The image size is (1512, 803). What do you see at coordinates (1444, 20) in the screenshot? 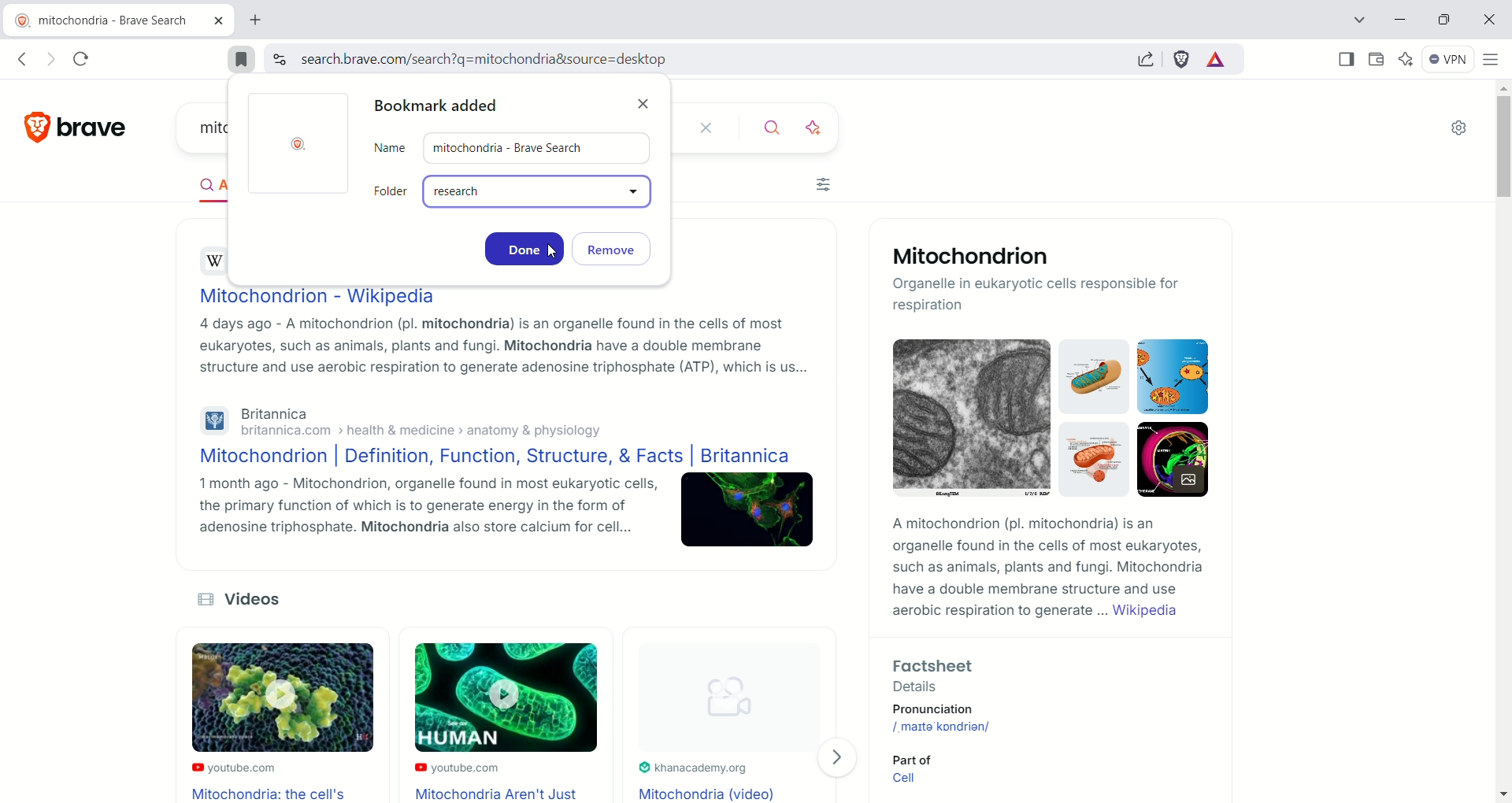
I see `maximize` at bounding box center [1444, 20].